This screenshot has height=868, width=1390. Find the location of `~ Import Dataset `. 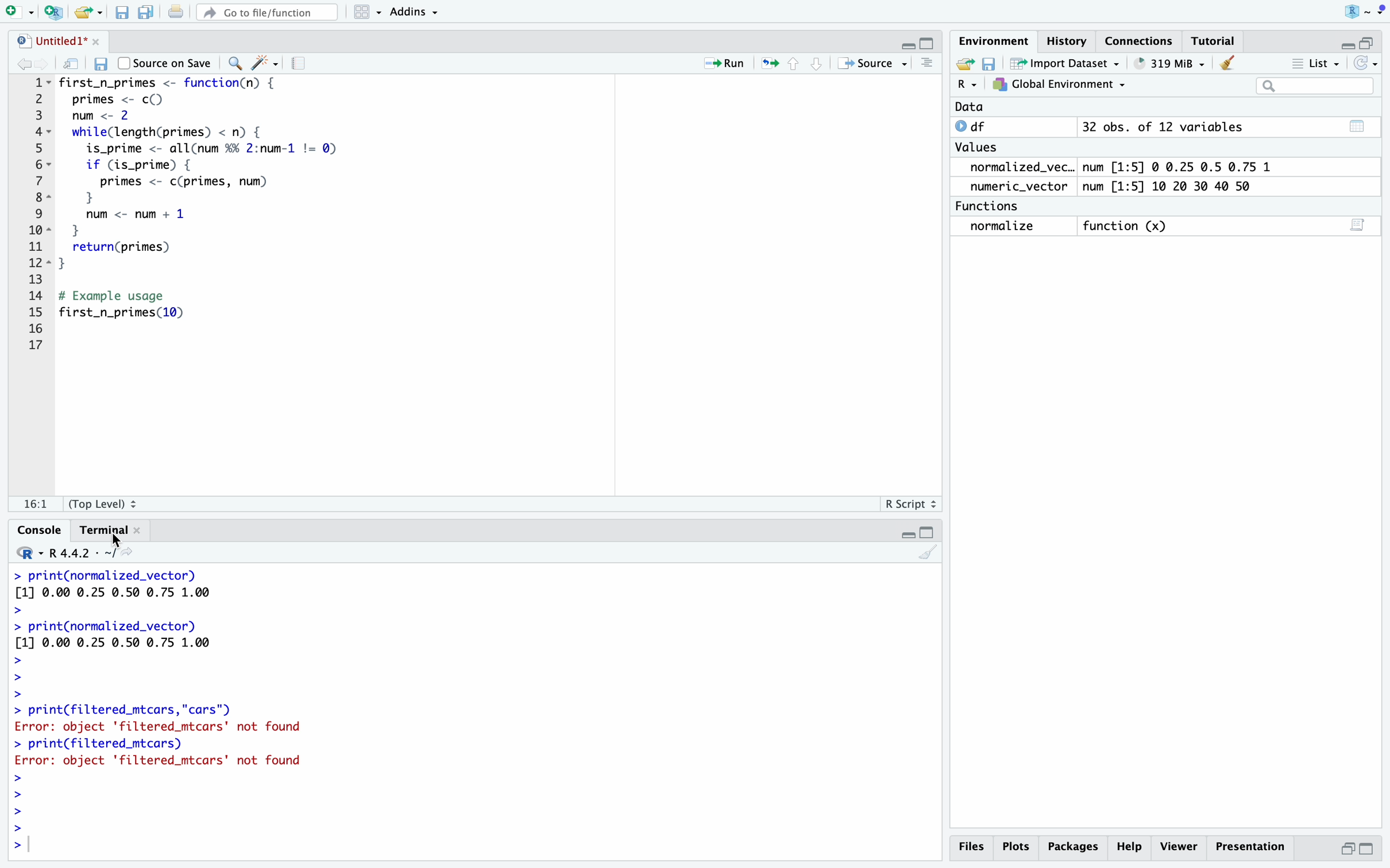

~ Import Dataset  is located at coordinates (1064, 63).